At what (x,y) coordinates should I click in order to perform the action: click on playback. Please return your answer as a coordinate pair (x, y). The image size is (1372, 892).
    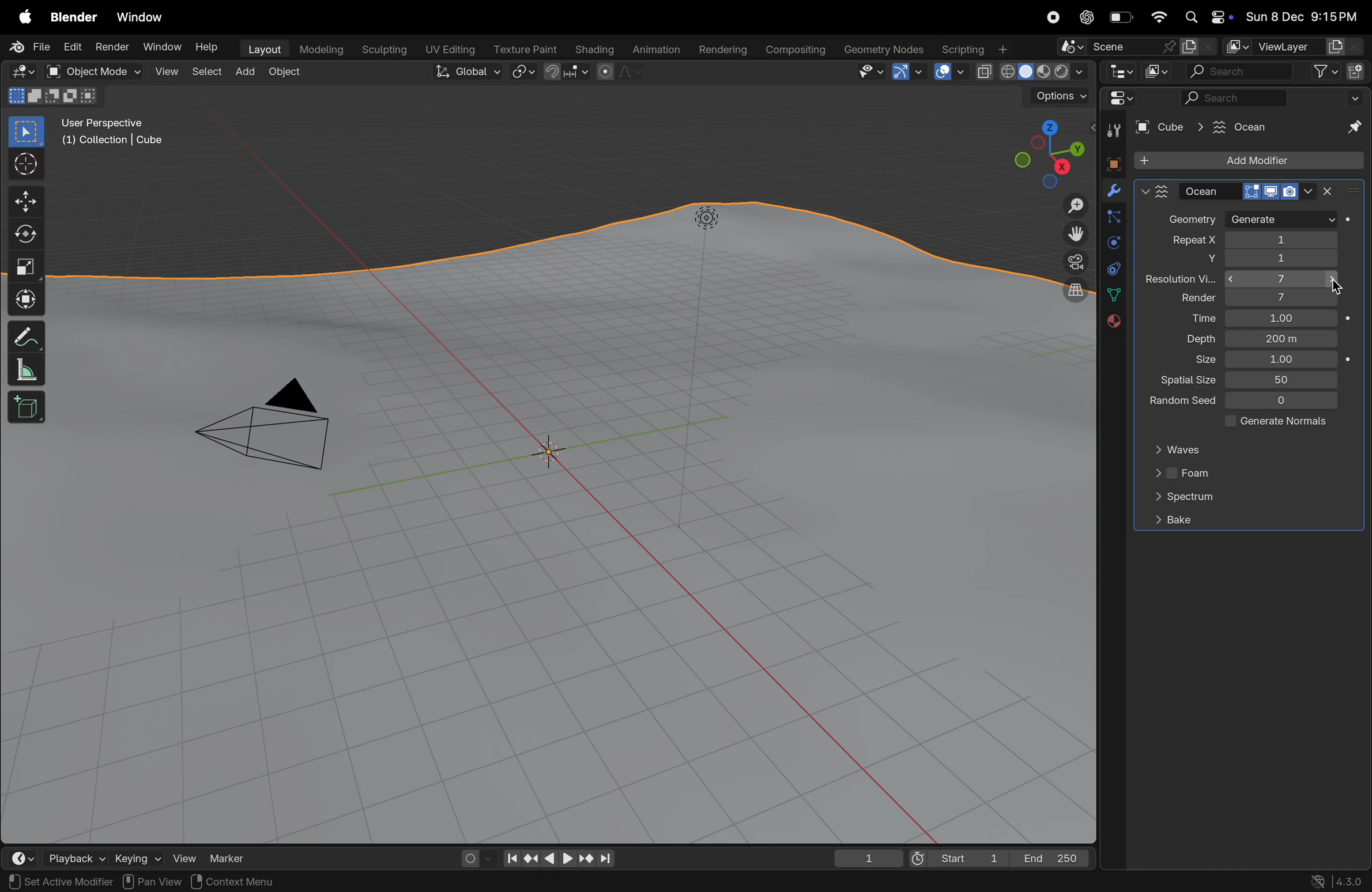
    Looking at the image, I should click on (75, 857).